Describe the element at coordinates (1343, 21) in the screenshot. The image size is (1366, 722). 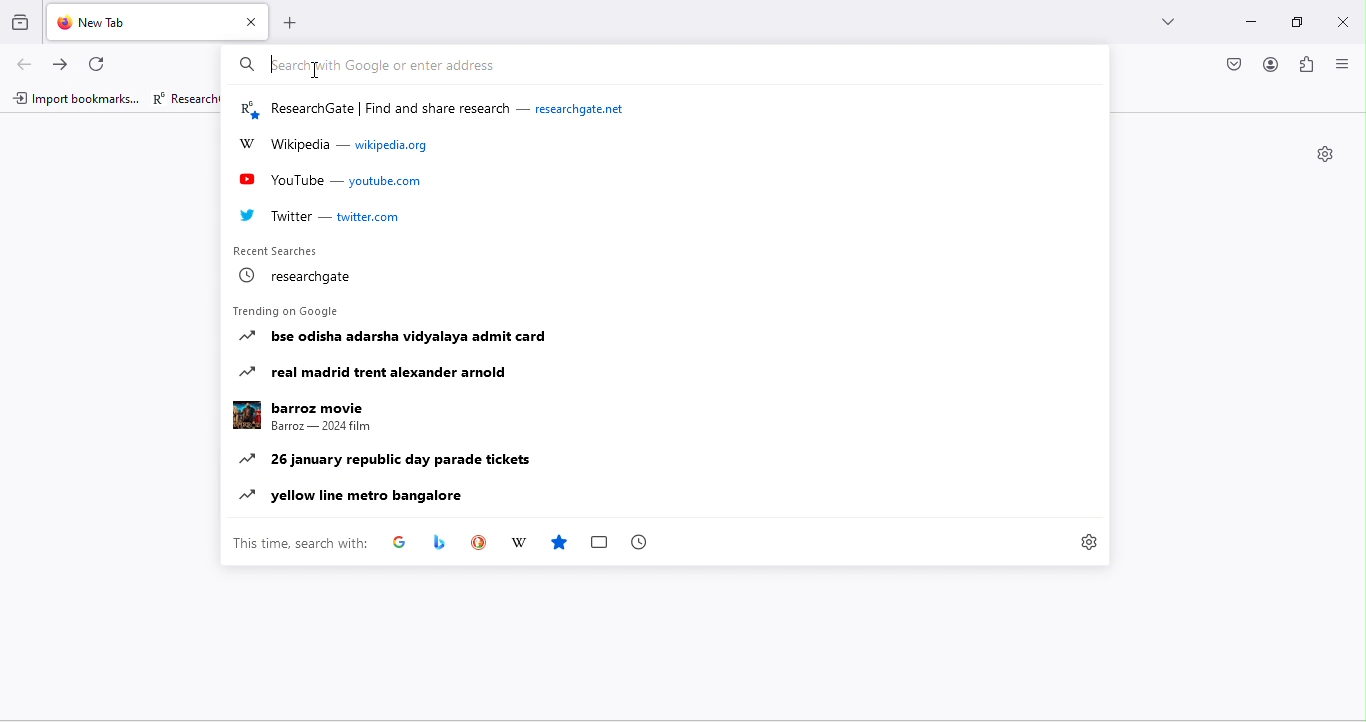
I see `close` at that location.